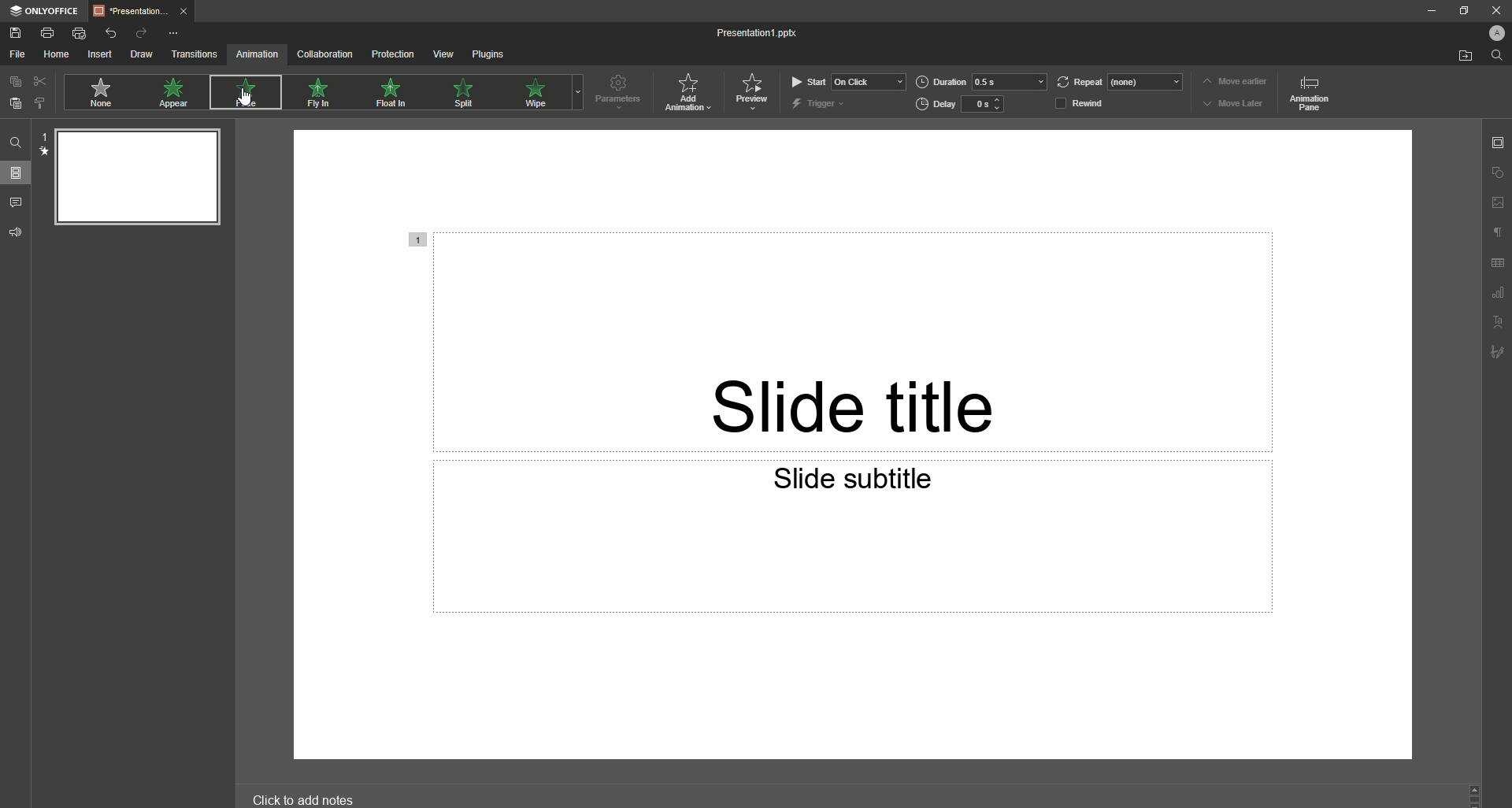 The height and width of the screenshot is (808, 1512). I want to click on Find, so click(1497, 56).